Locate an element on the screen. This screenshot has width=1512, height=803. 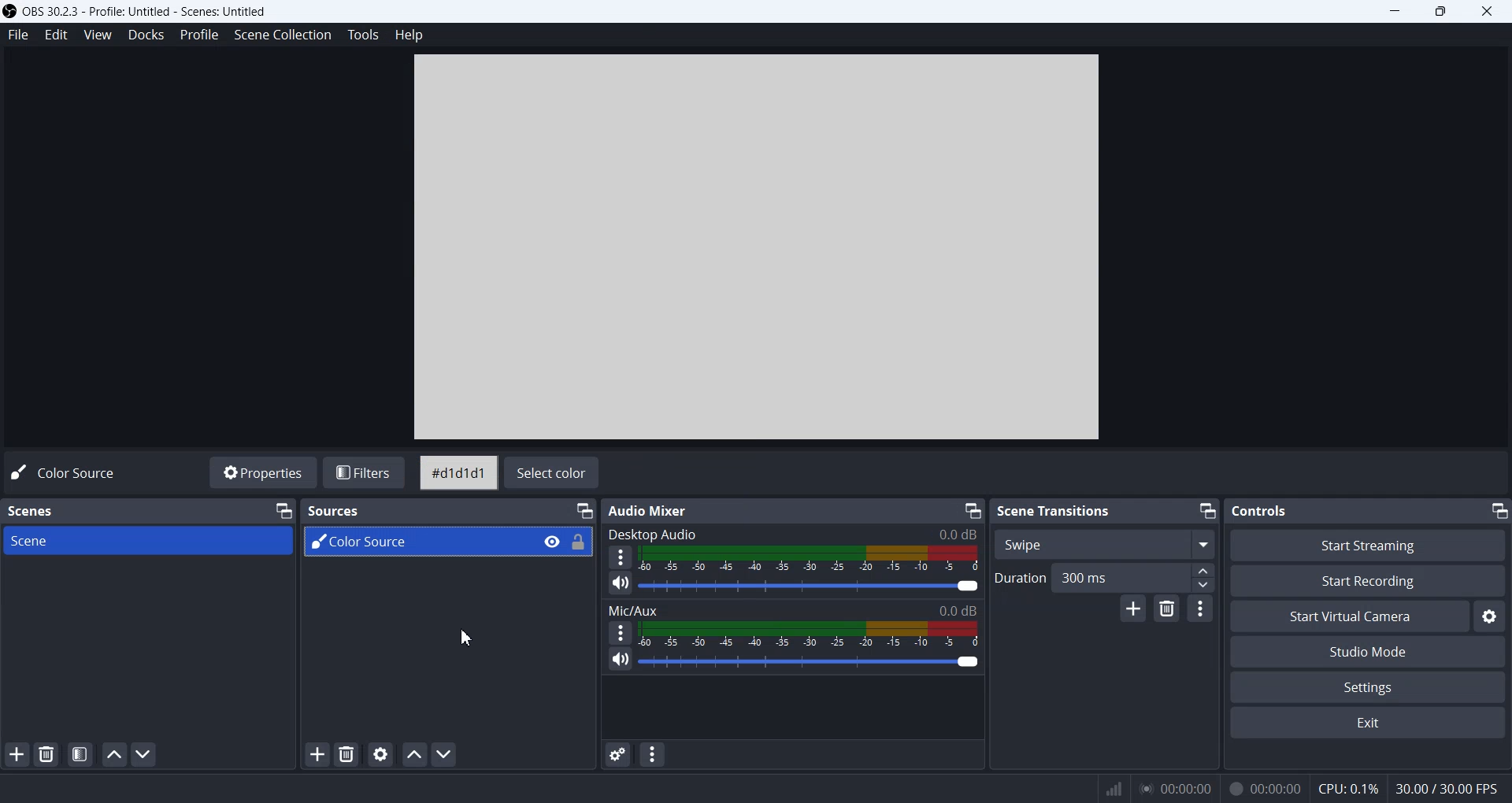
Duration is located at coordinates (1017, 578).